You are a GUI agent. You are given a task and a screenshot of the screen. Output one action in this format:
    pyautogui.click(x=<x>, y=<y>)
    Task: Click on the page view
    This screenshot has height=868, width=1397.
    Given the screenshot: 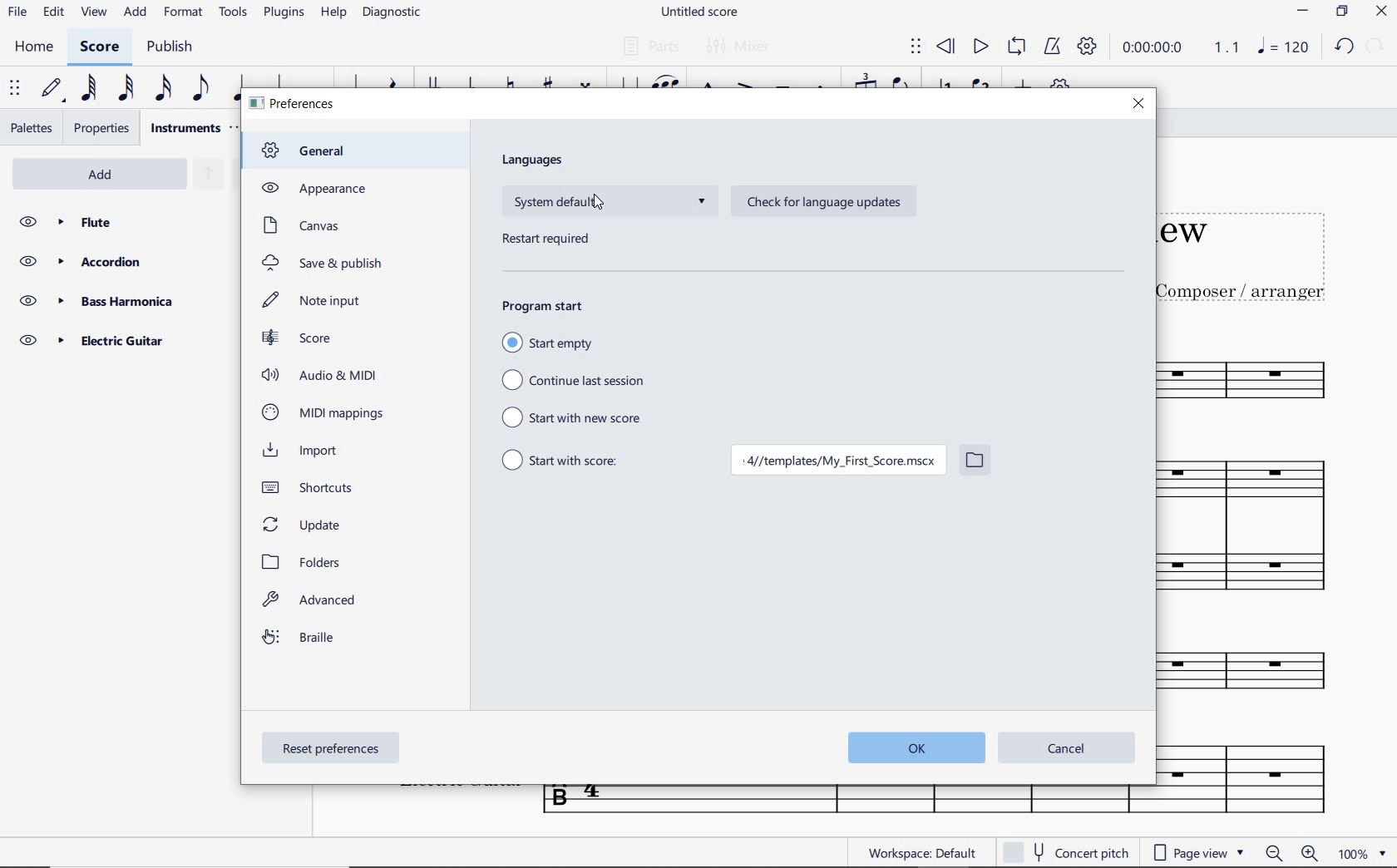 What is the action you would take?
    pyautogui.click(x=1197, y=852)
    